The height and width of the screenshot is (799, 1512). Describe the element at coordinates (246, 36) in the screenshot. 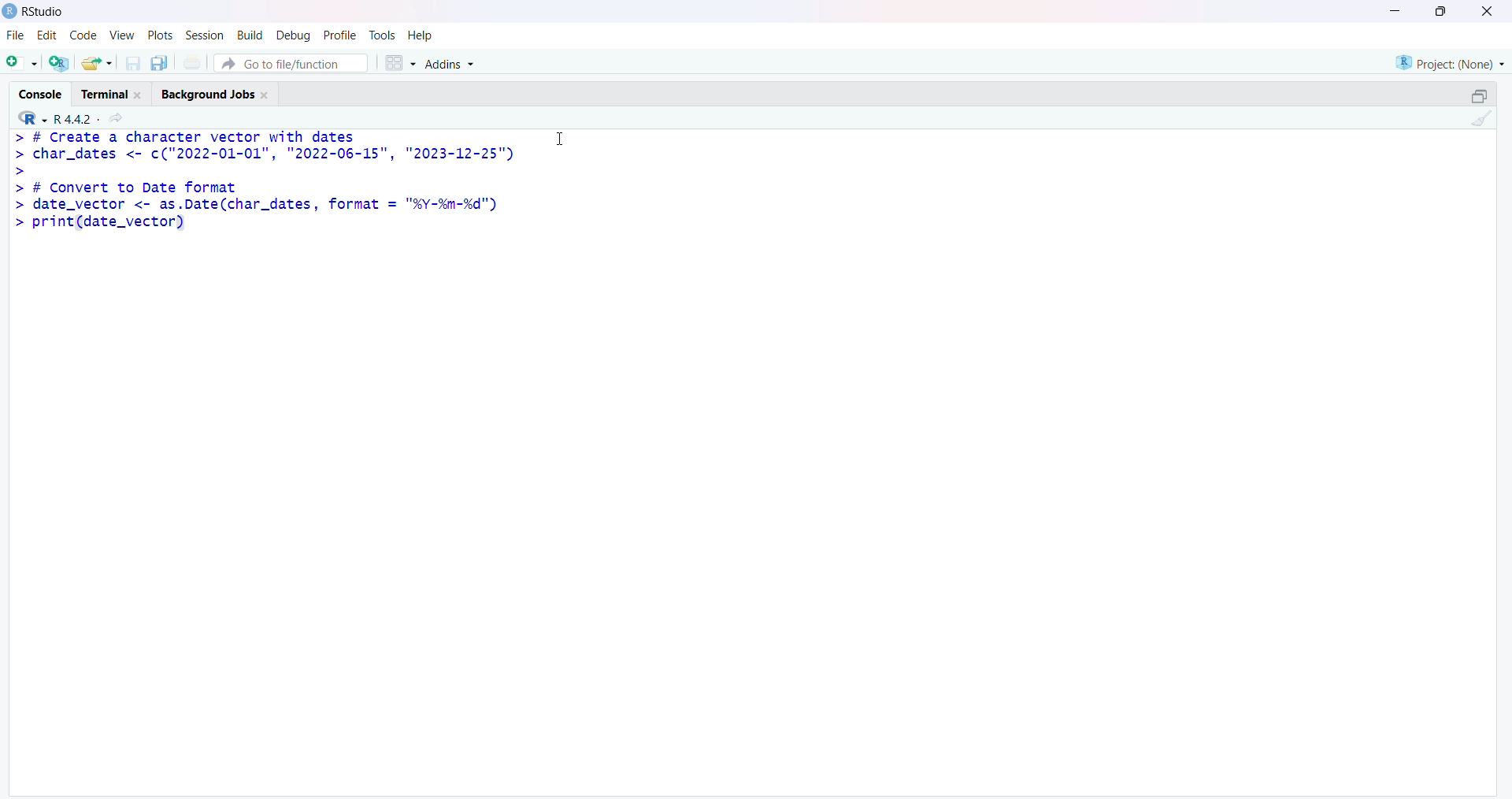

I see `Build` at that location.